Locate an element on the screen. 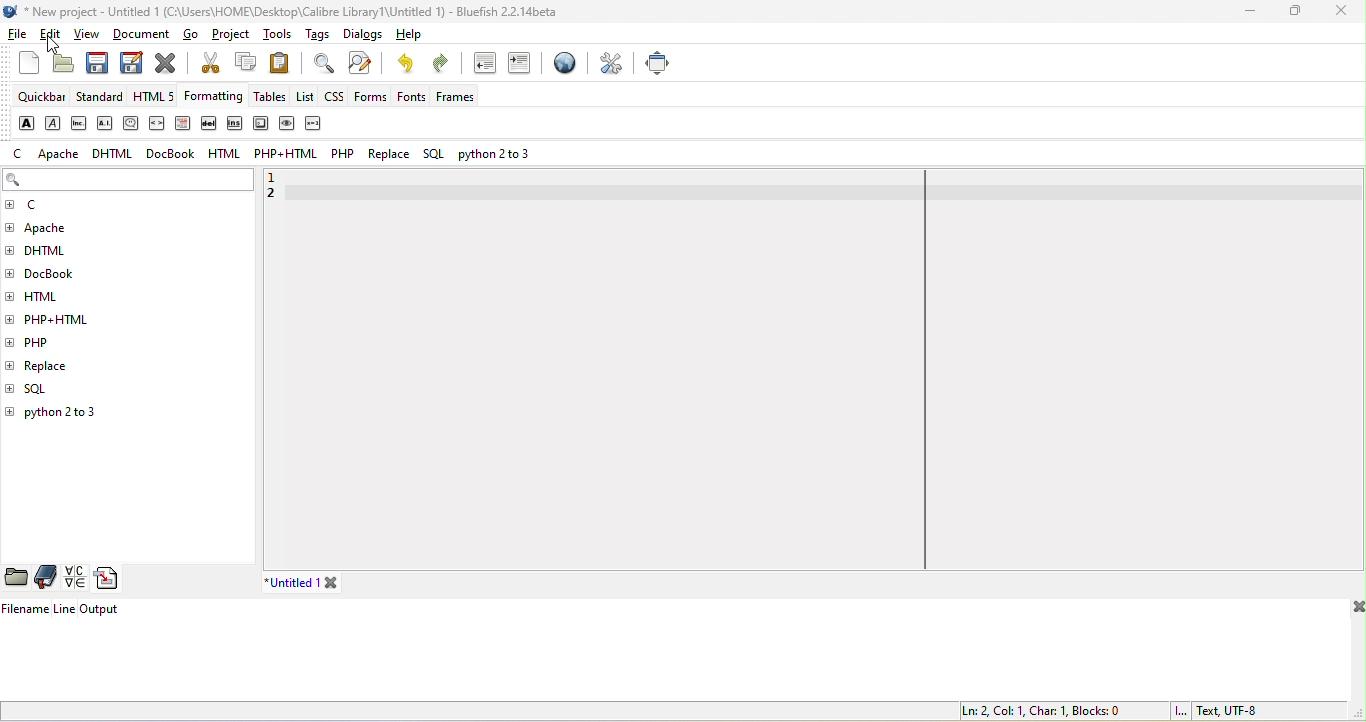  close is located at coordinates (1355, 609).